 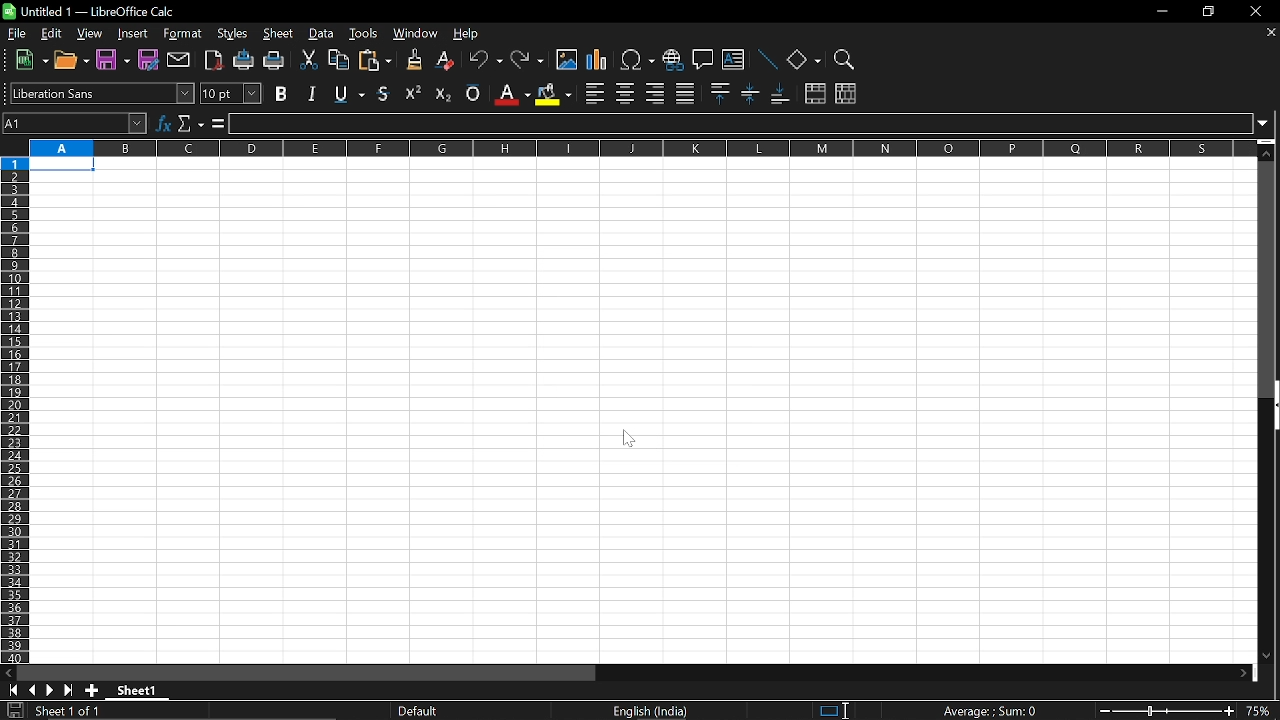 What do you see at coordinates (1206, 13) in the screenshot?
I see `restore down` at bounding box center [1206, 13].